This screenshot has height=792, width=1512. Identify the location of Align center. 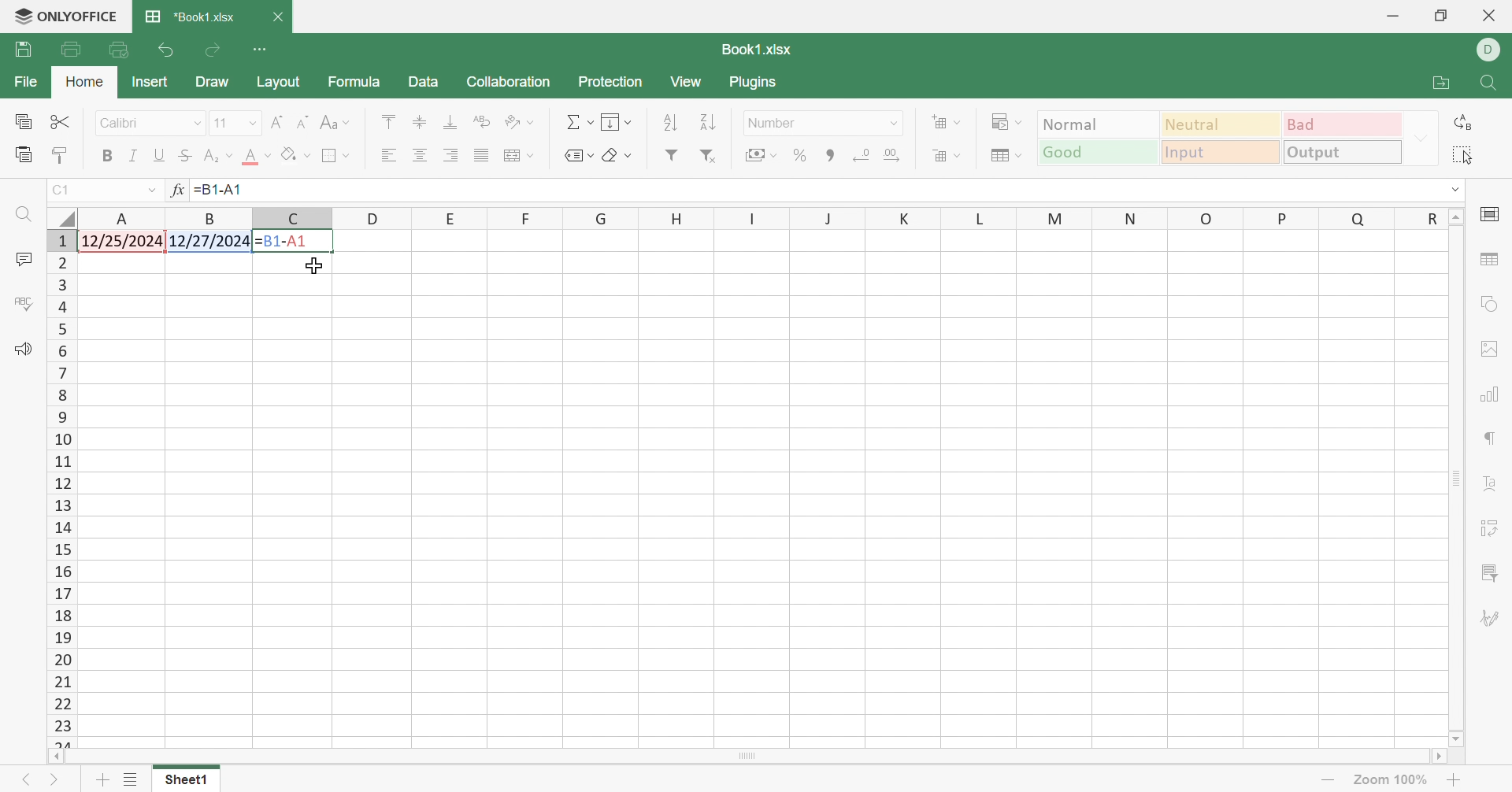
(419, 156).